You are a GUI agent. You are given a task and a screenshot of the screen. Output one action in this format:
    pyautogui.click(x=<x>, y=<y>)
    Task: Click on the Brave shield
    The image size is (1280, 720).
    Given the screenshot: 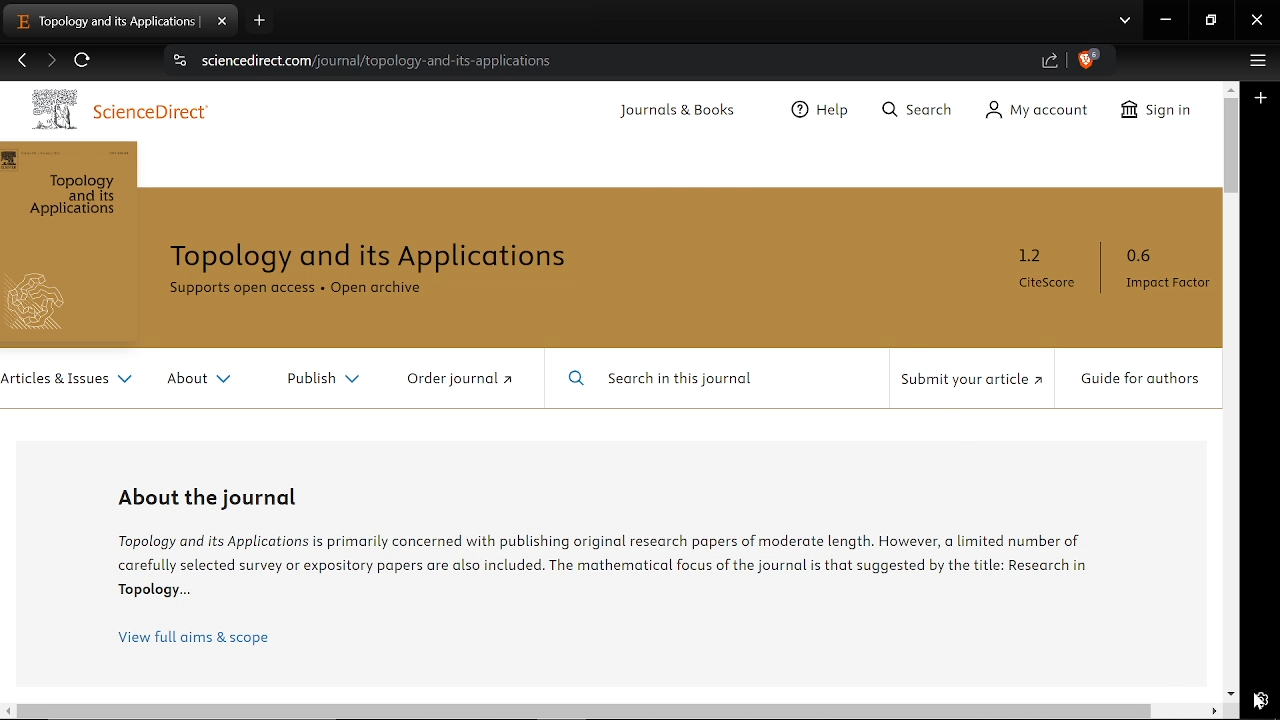 What is the action you would take?
    pyautogui.click(x=1088, y=62)
    